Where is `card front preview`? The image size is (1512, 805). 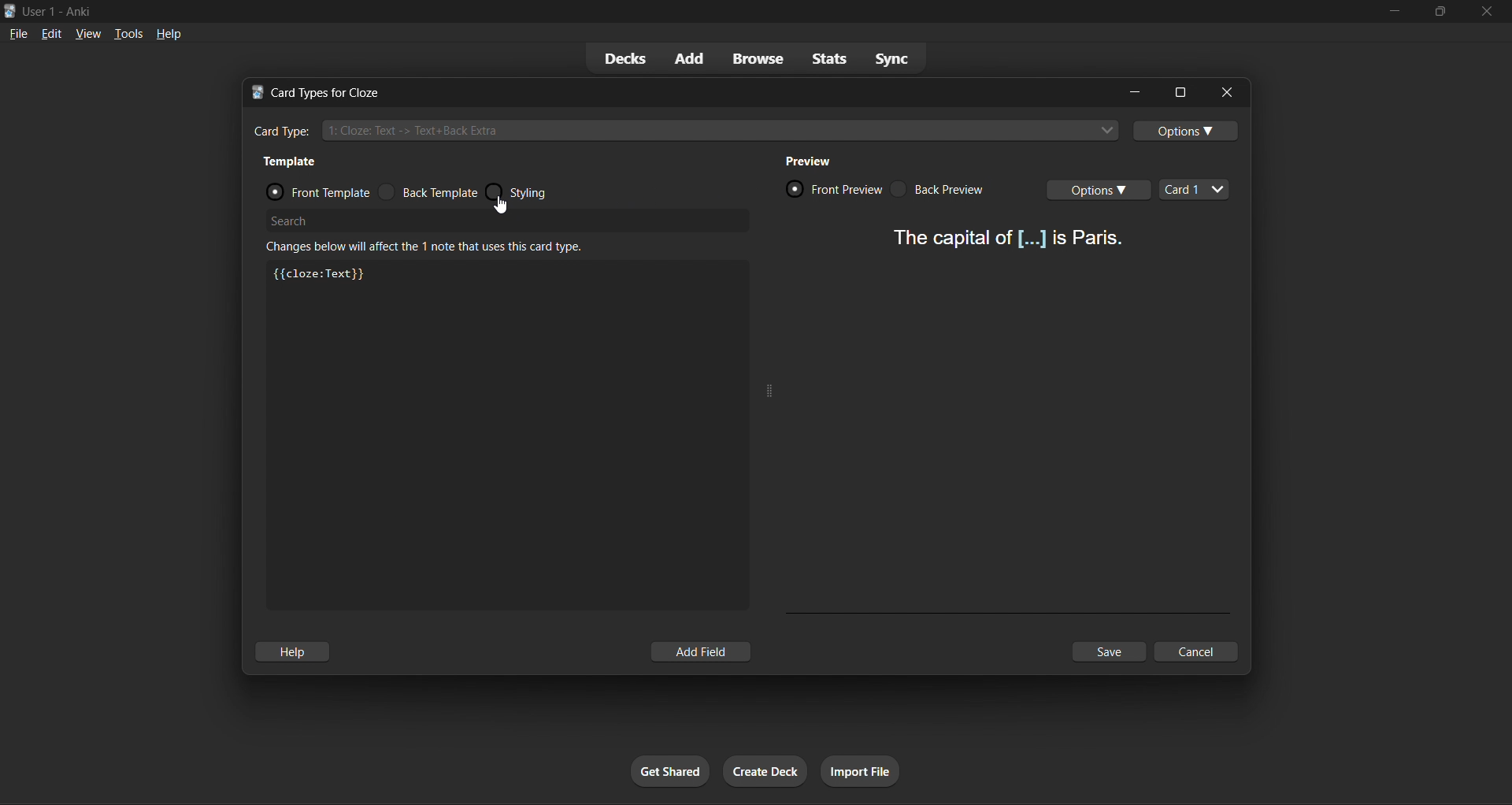 card front preview is located at coordinates (832, 188).